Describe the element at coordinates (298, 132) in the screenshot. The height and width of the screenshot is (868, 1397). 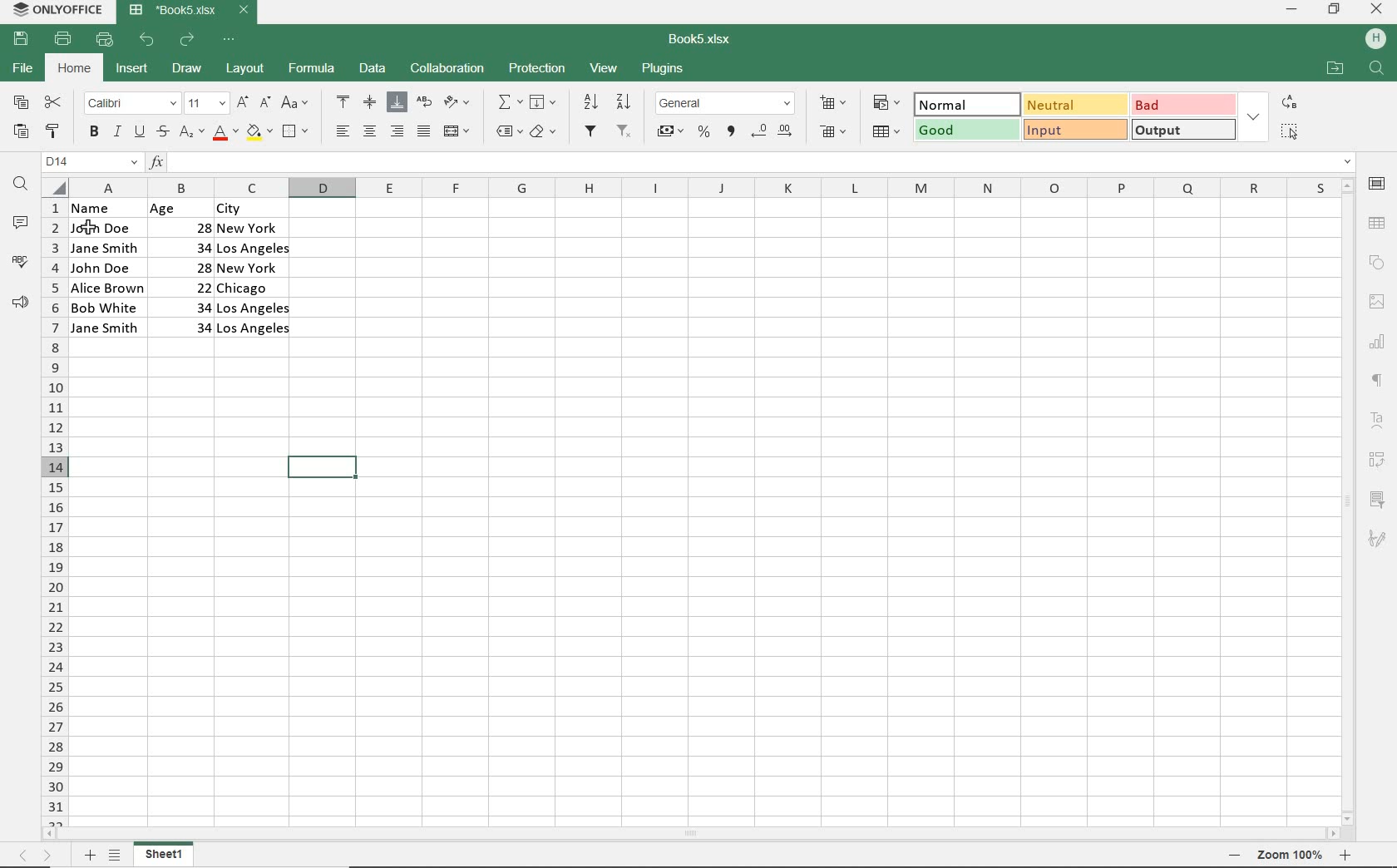
I see `BORDERS` at that location.